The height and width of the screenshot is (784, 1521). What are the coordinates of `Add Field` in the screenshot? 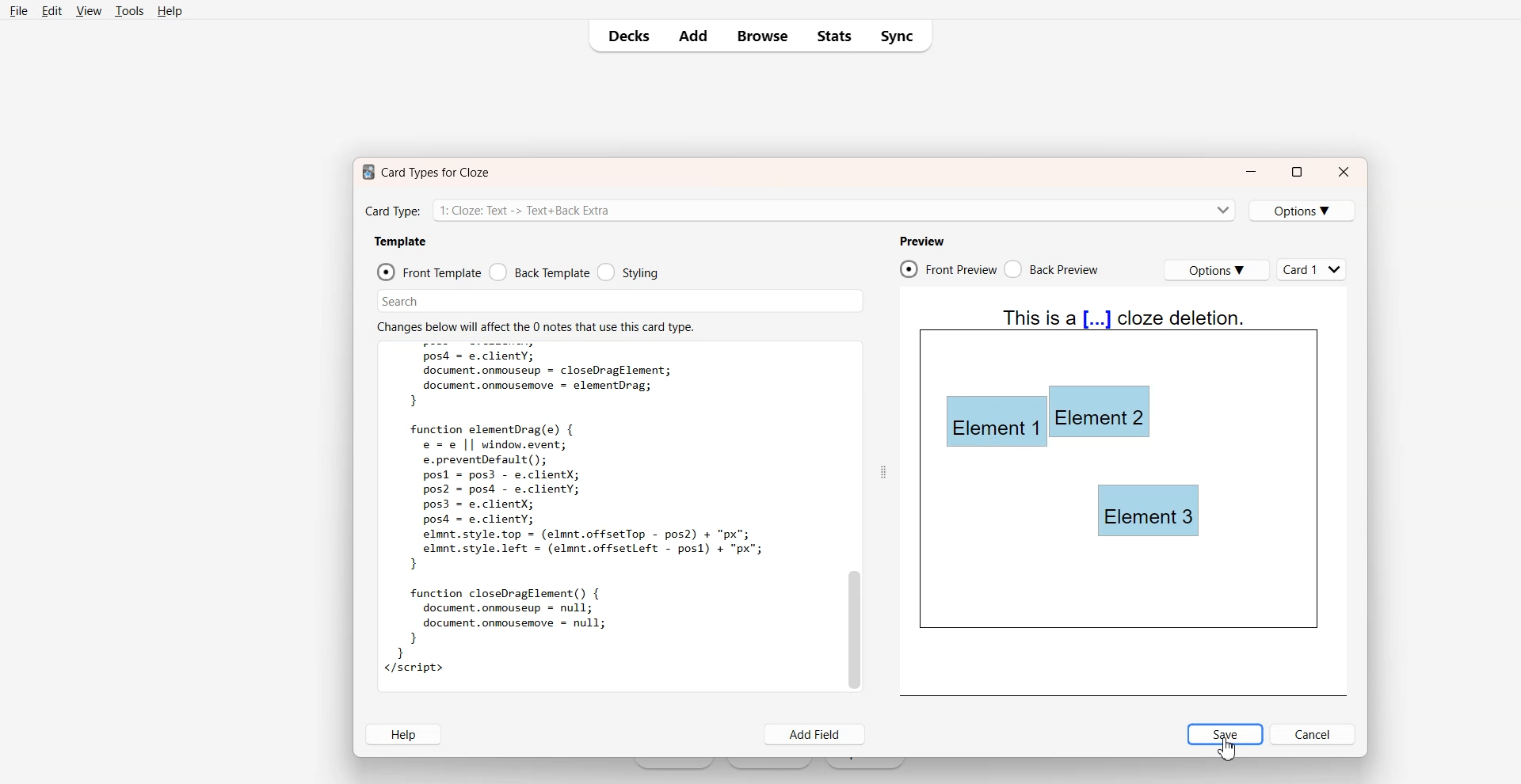 It's located at (816, 735).